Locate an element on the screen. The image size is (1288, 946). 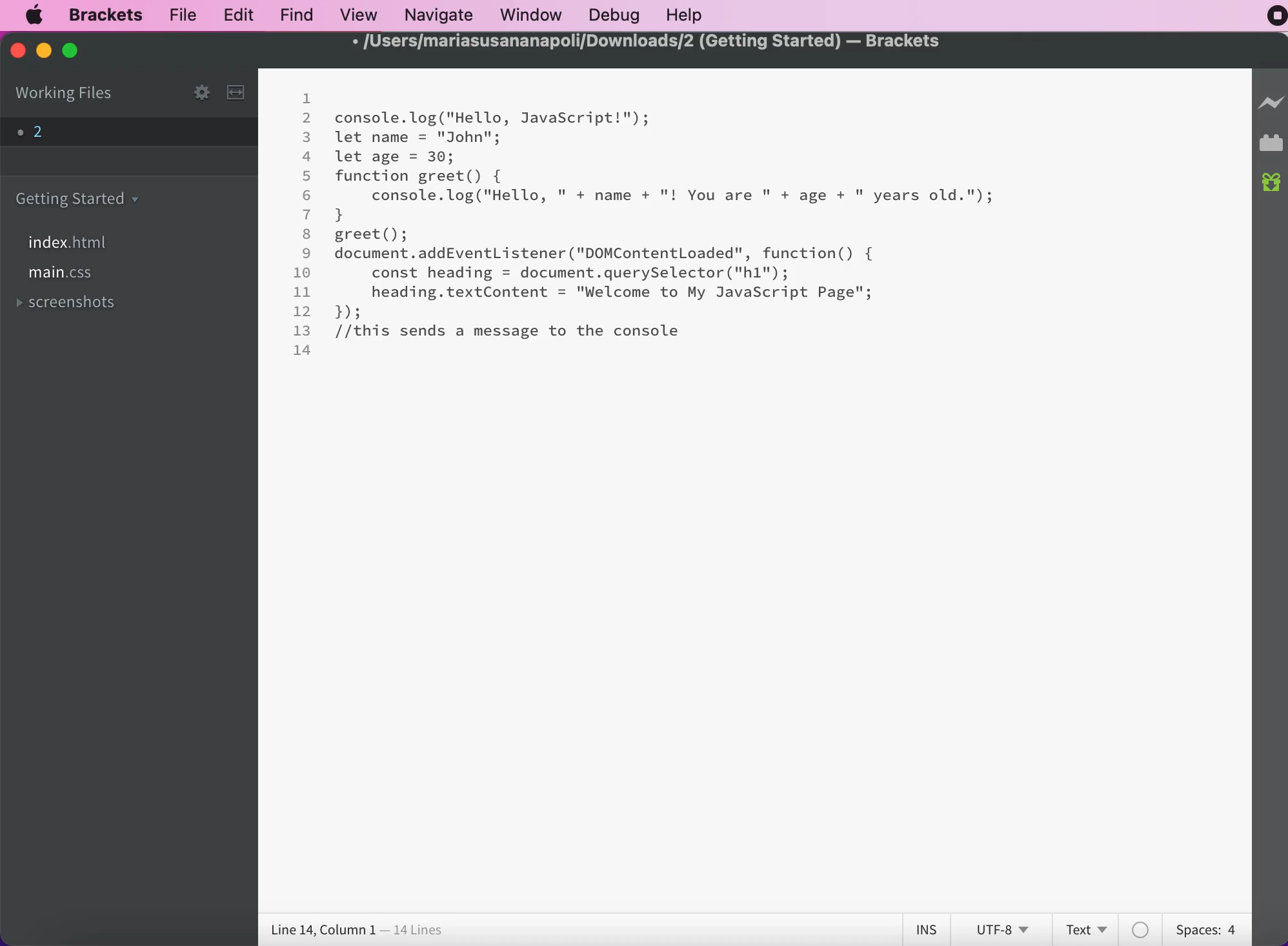
new build of brackets is located at coordinates (1271, 186).